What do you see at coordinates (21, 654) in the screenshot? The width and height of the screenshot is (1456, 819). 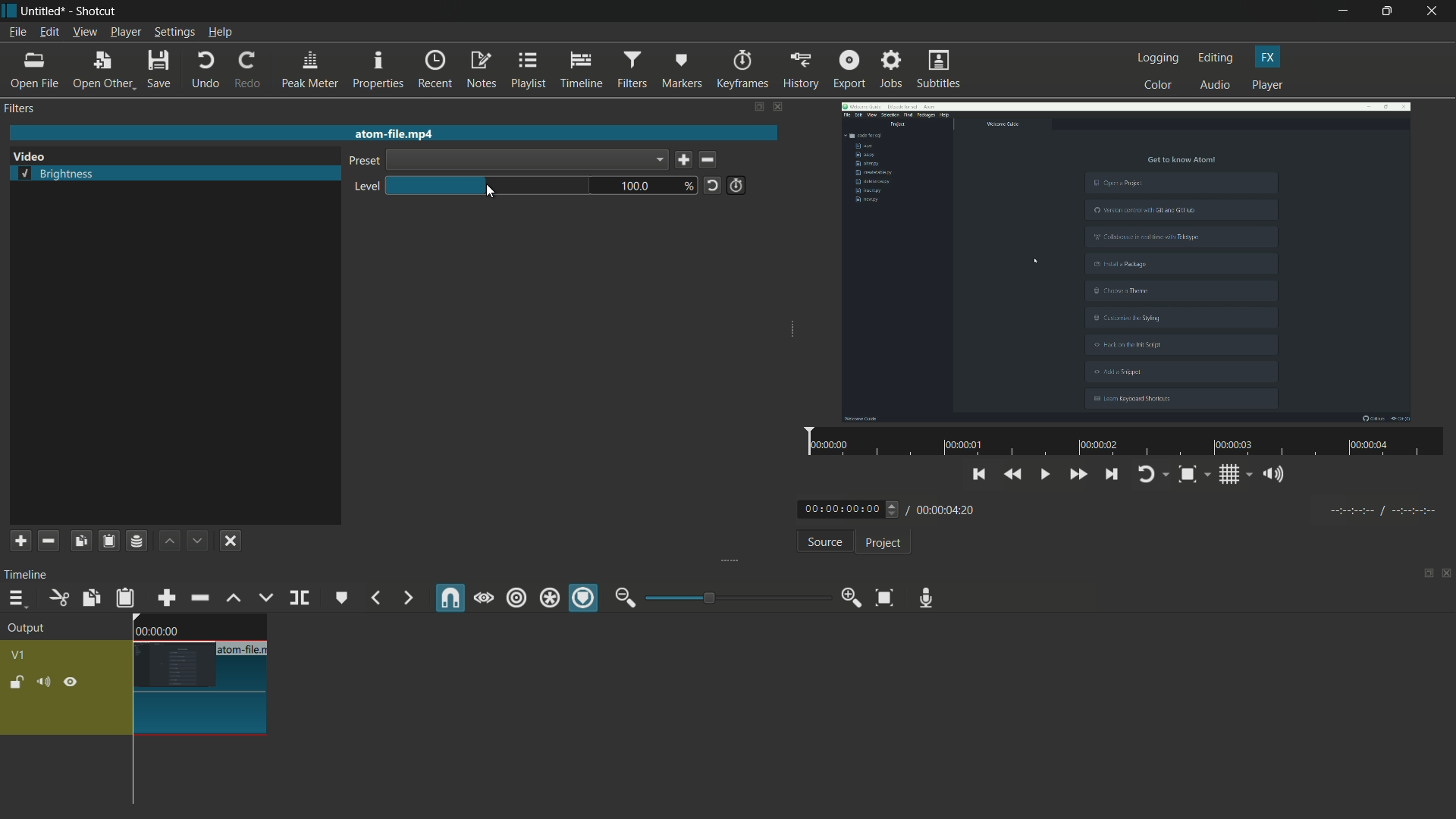 I see `v1` at bounding box center [21, 654].